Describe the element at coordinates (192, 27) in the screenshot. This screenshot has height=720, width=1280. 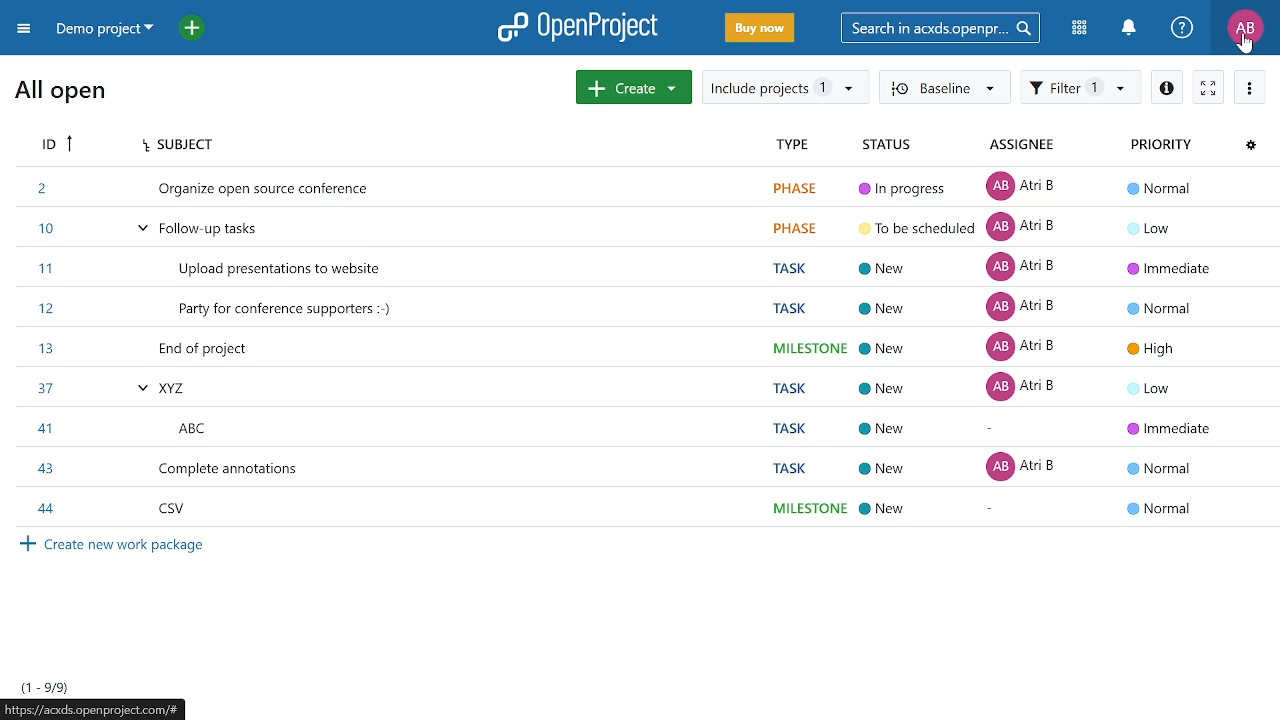
I see `Open quick add menu` at that location.